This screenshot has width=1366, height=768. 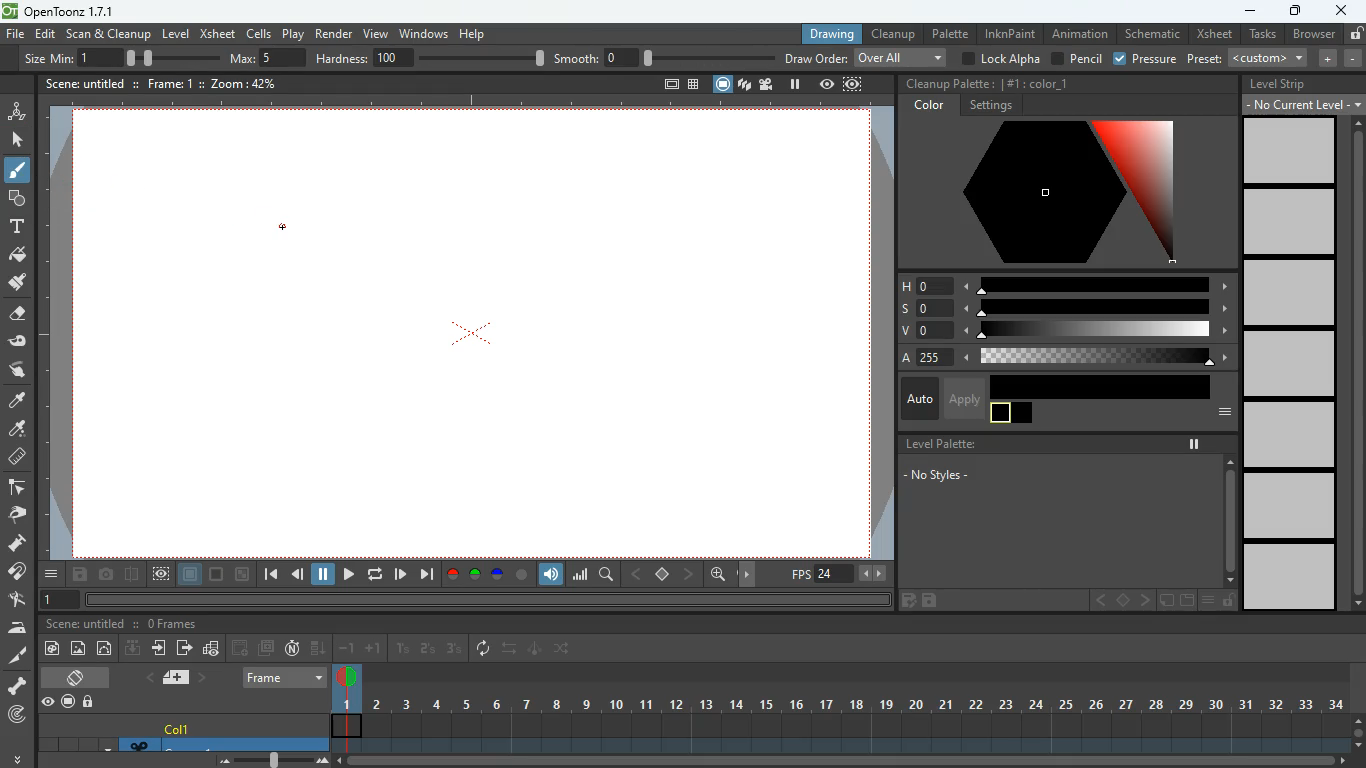 I want to click on frame, so click(x=854, y=84).